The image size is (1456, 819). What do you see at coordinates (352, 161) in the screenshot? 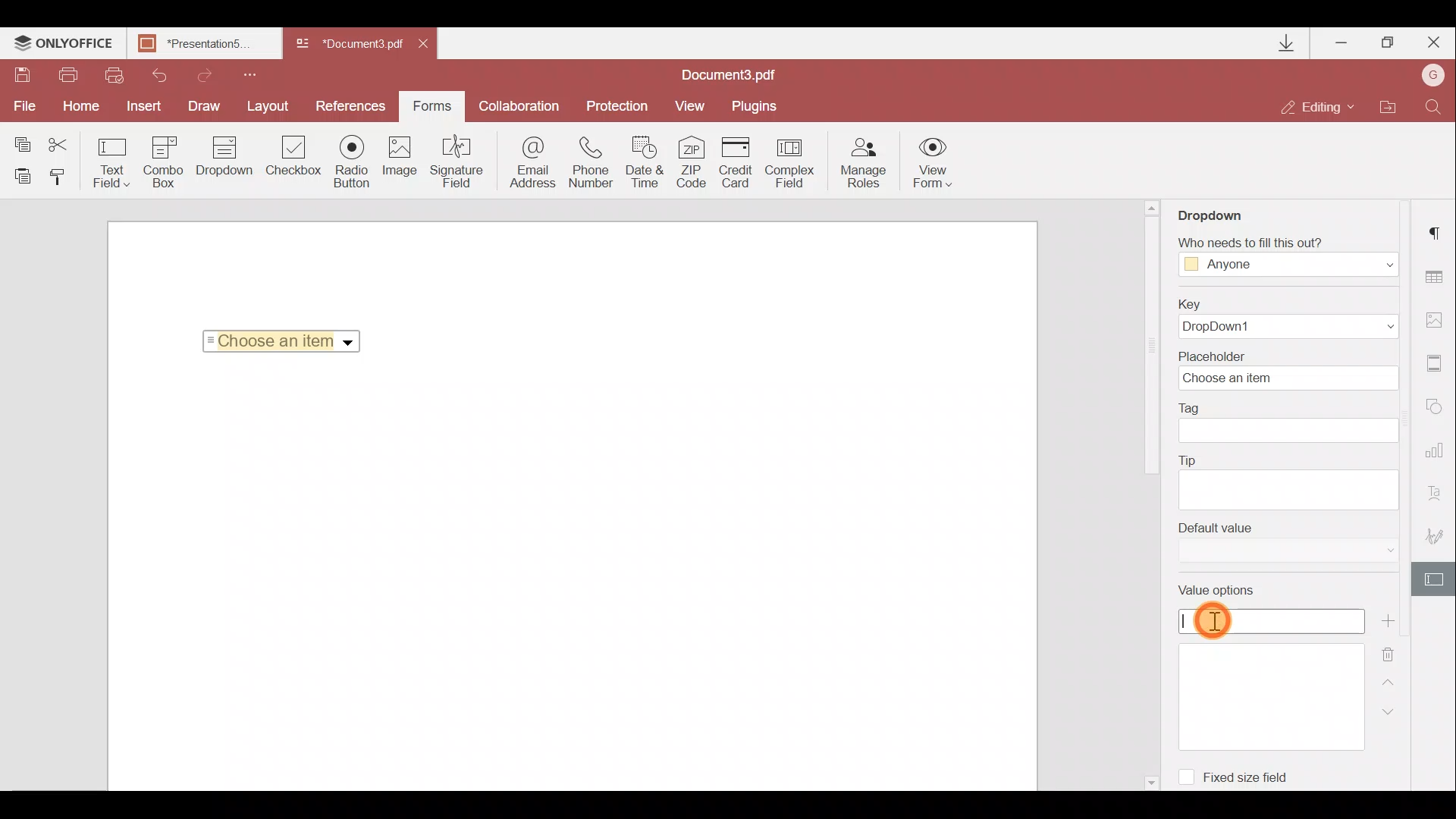
I see `Radio button` at bounding box center [352, 161].